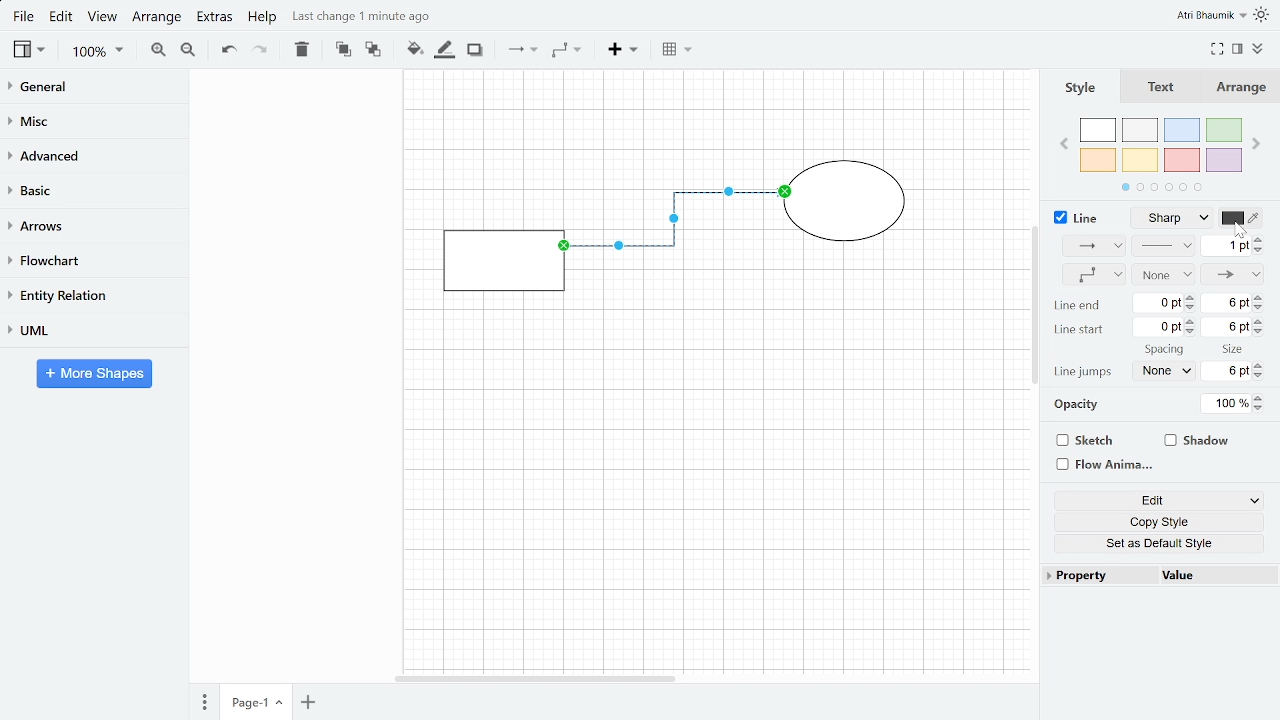  Describe the element at coordinates (203, 702) in the screenshot. I see `Pages` at that location.